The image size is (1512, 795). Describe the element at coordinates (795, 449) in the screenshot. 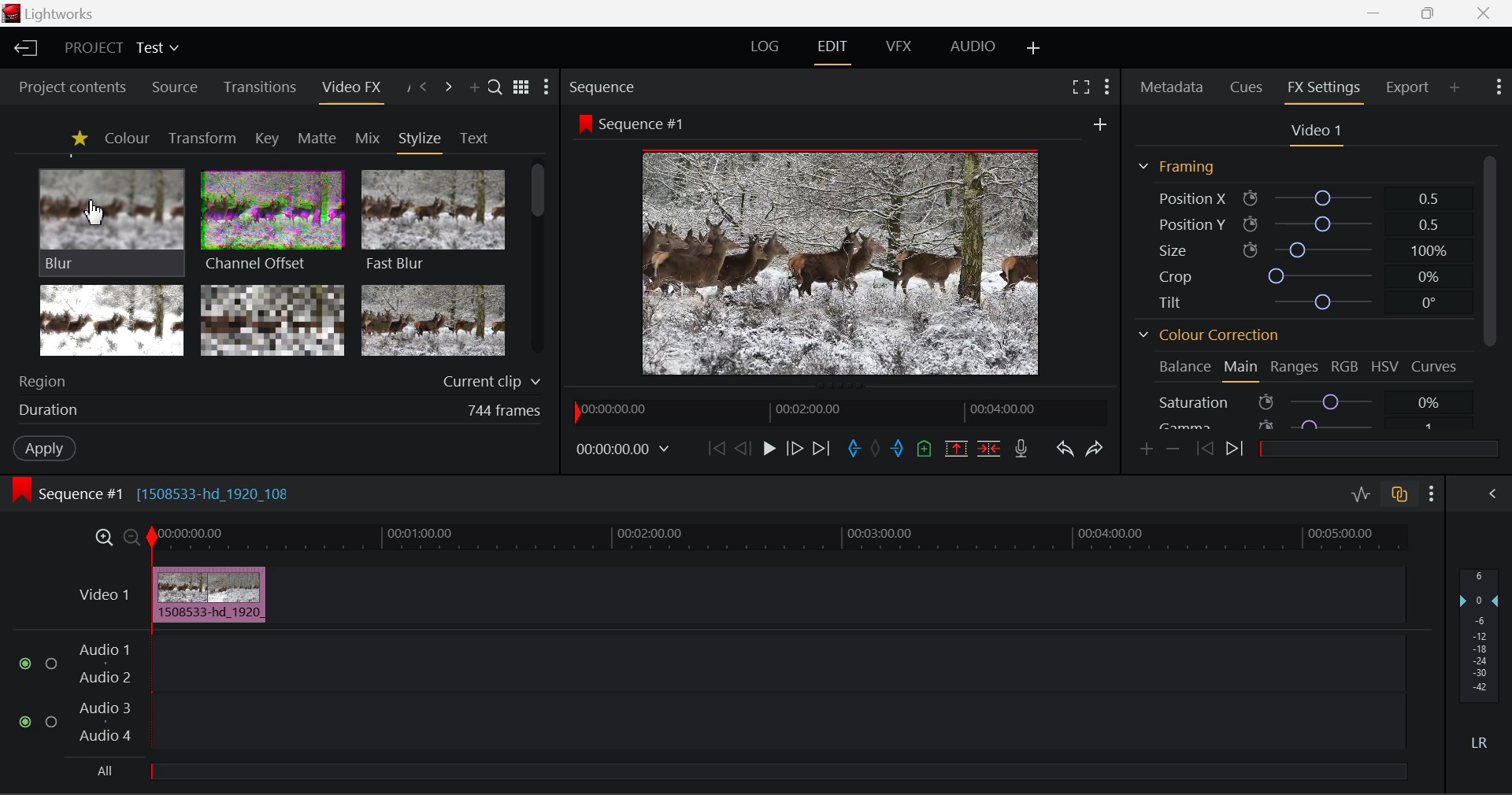

I see `Go Forward` at that location.